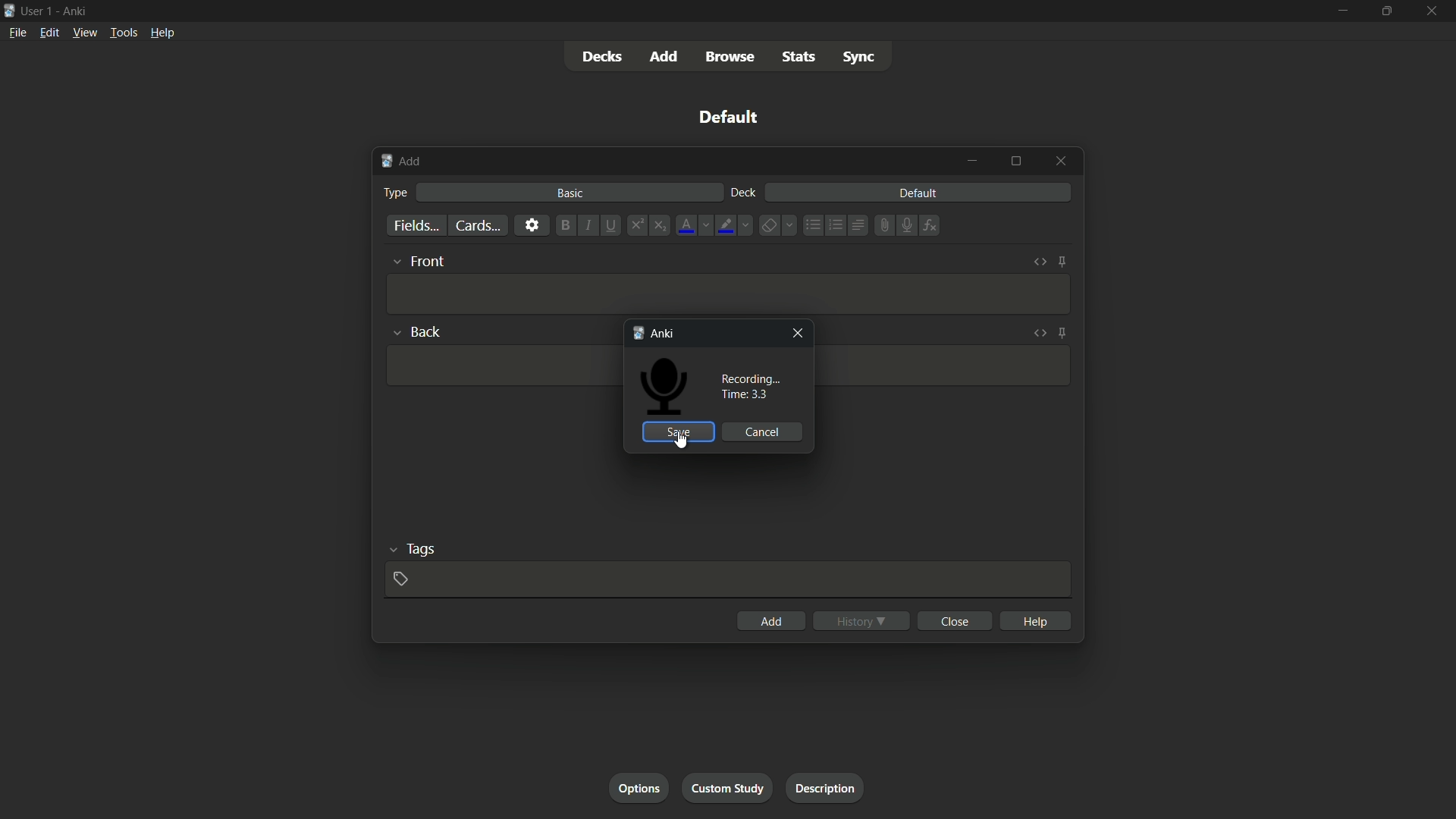 The height and width of the screenshot is (819, 1456). What do you see at coordinates (974, 161) in the screenshot?
I see `minimize` at bounding box center [974, 161].